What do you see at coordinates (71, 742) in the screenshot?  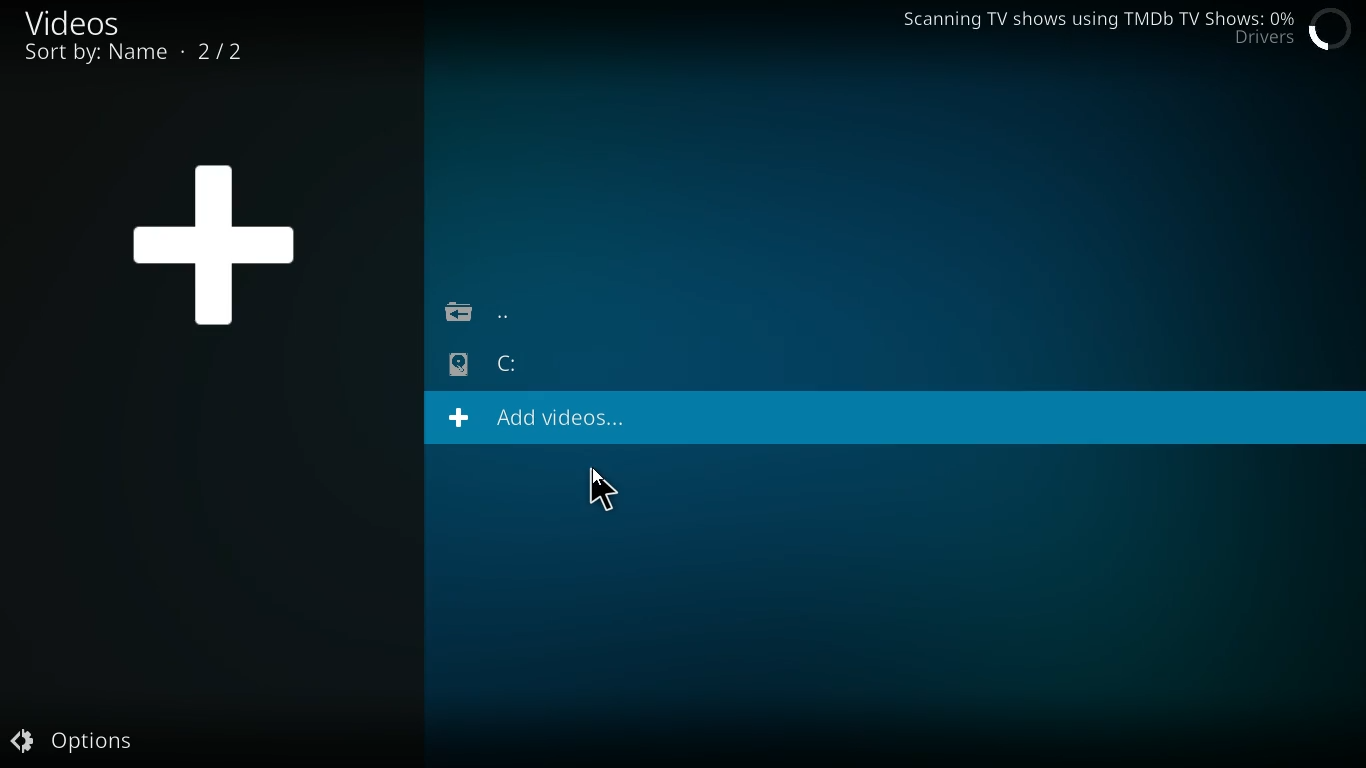 I see `Options` at bounding box center [71, 742].